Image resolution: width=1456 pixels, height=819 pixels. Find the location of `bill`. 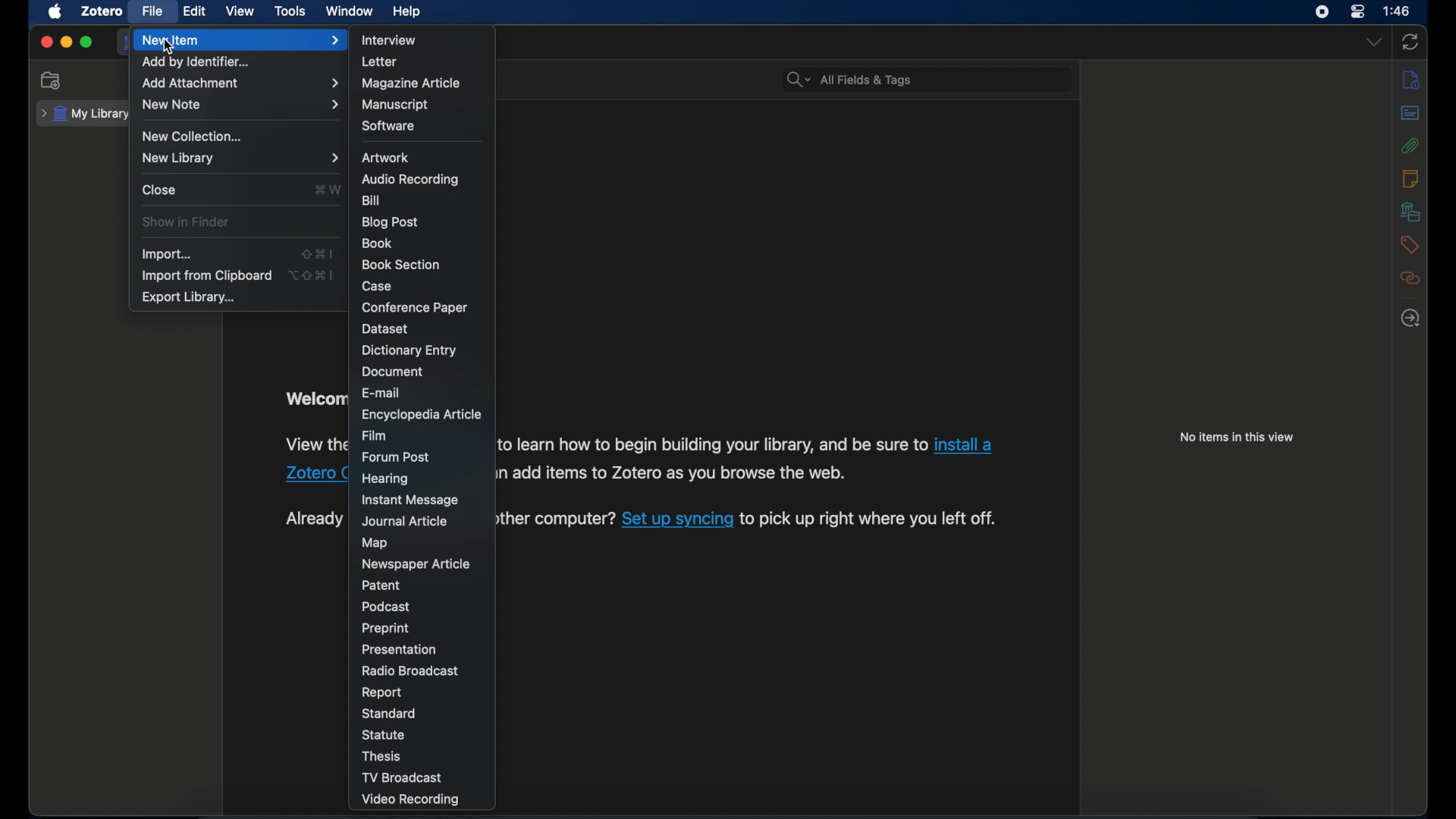

bill is located at coordinates (372, 200).